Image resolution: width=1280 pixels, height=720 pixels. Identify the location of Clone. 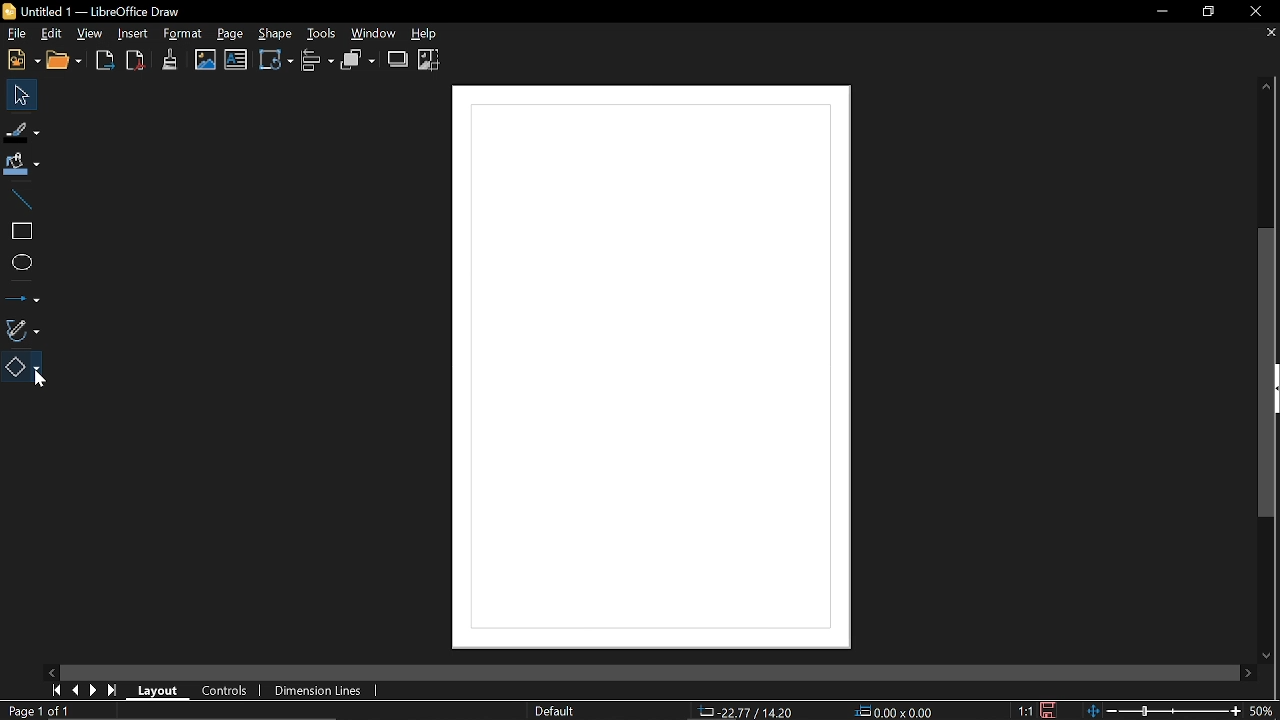
(170, 59).